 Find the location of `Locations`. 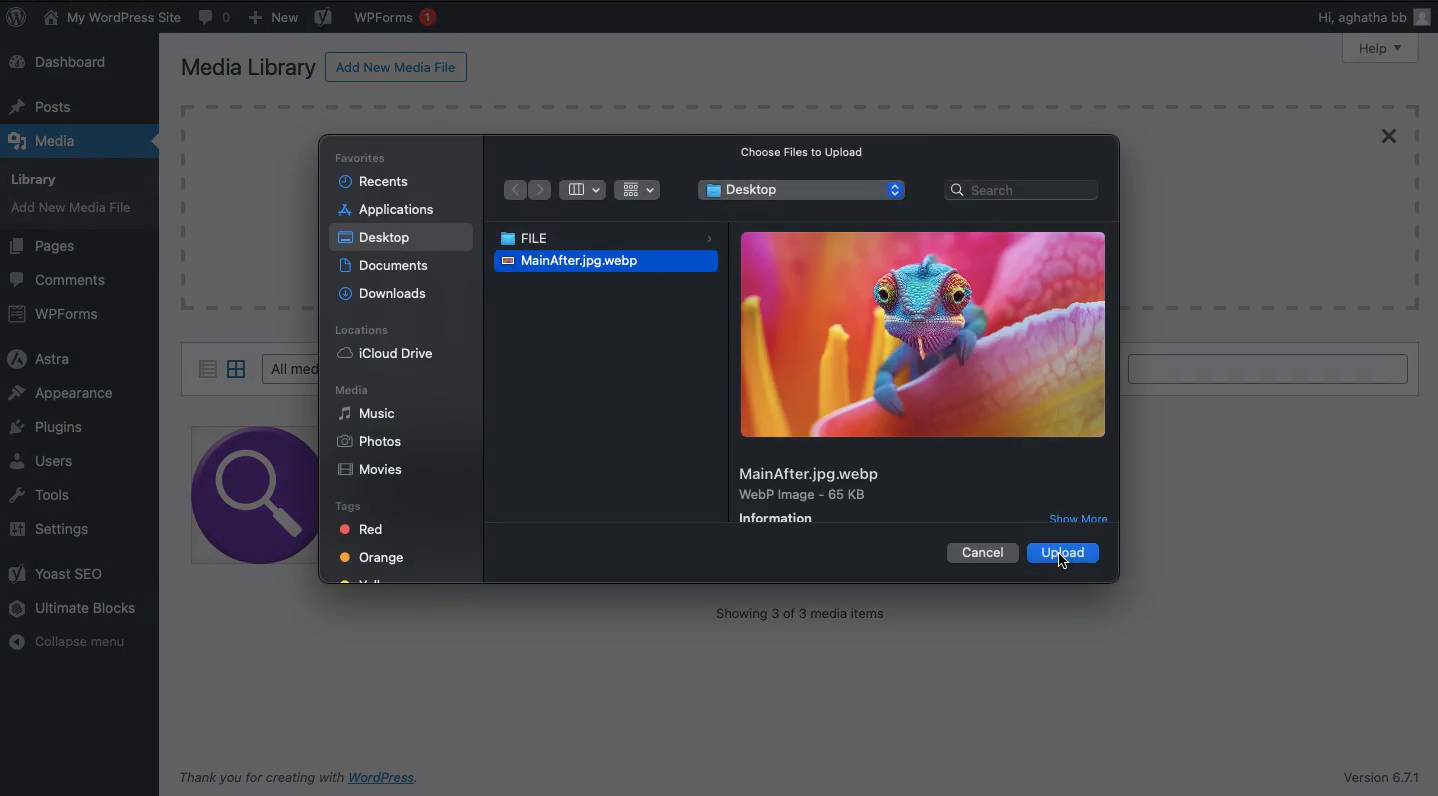

Locations is located at coordinates (368, 330).